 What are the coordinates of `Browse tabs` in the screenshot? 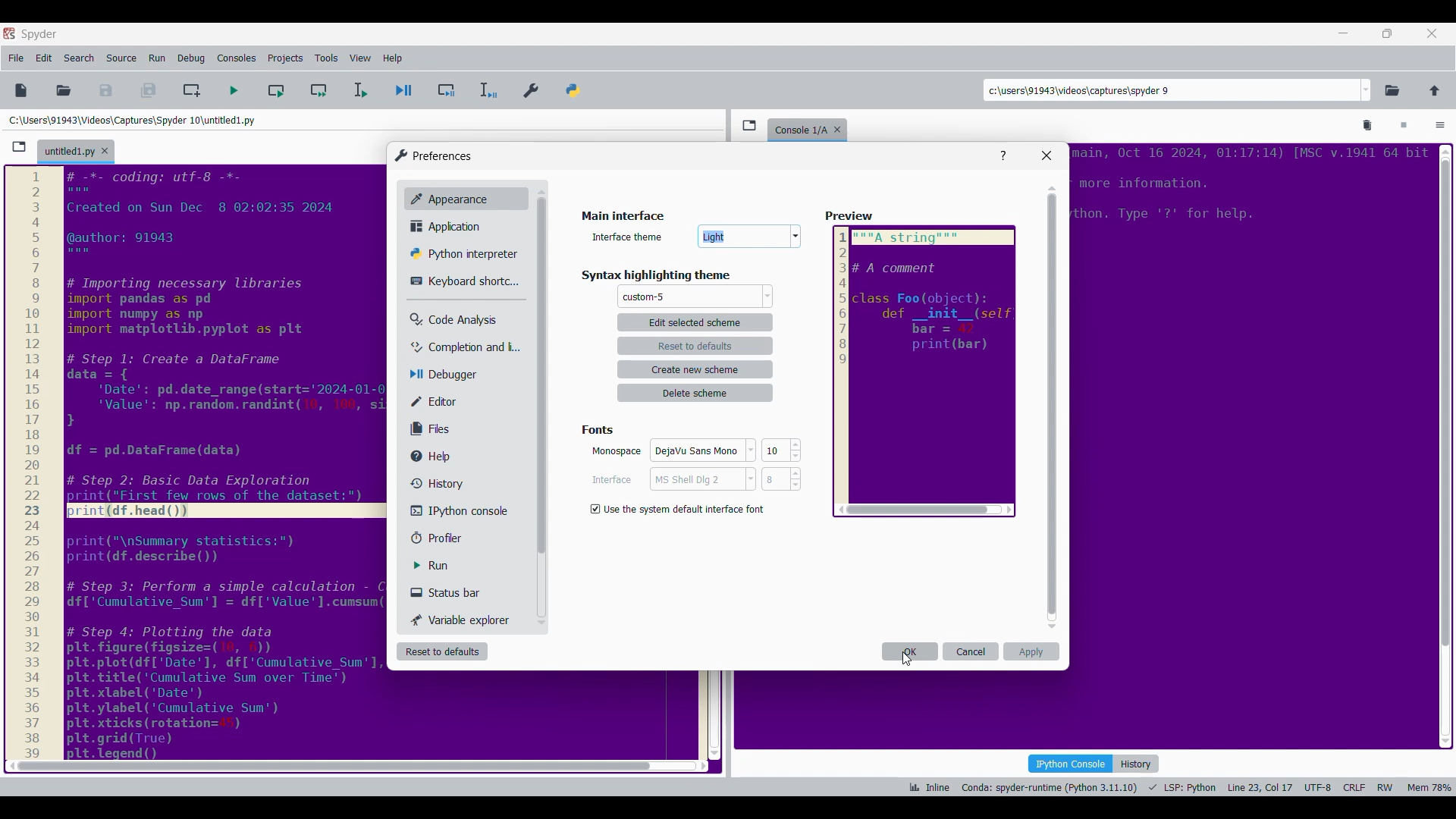 It's located at (749, 125).